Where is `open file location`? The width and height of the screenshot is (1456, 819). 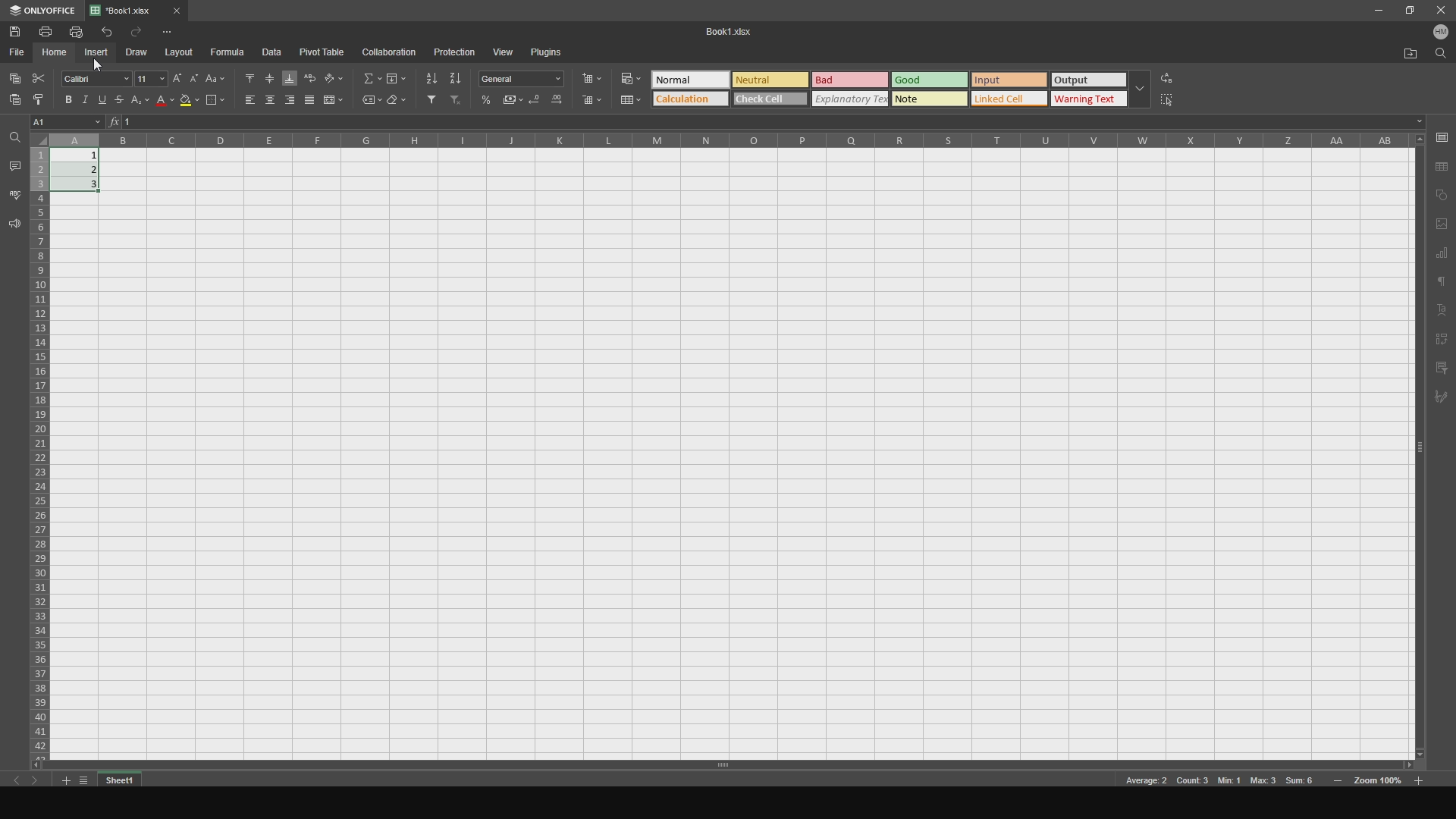
open file location is located at coordinates (1405, 52).